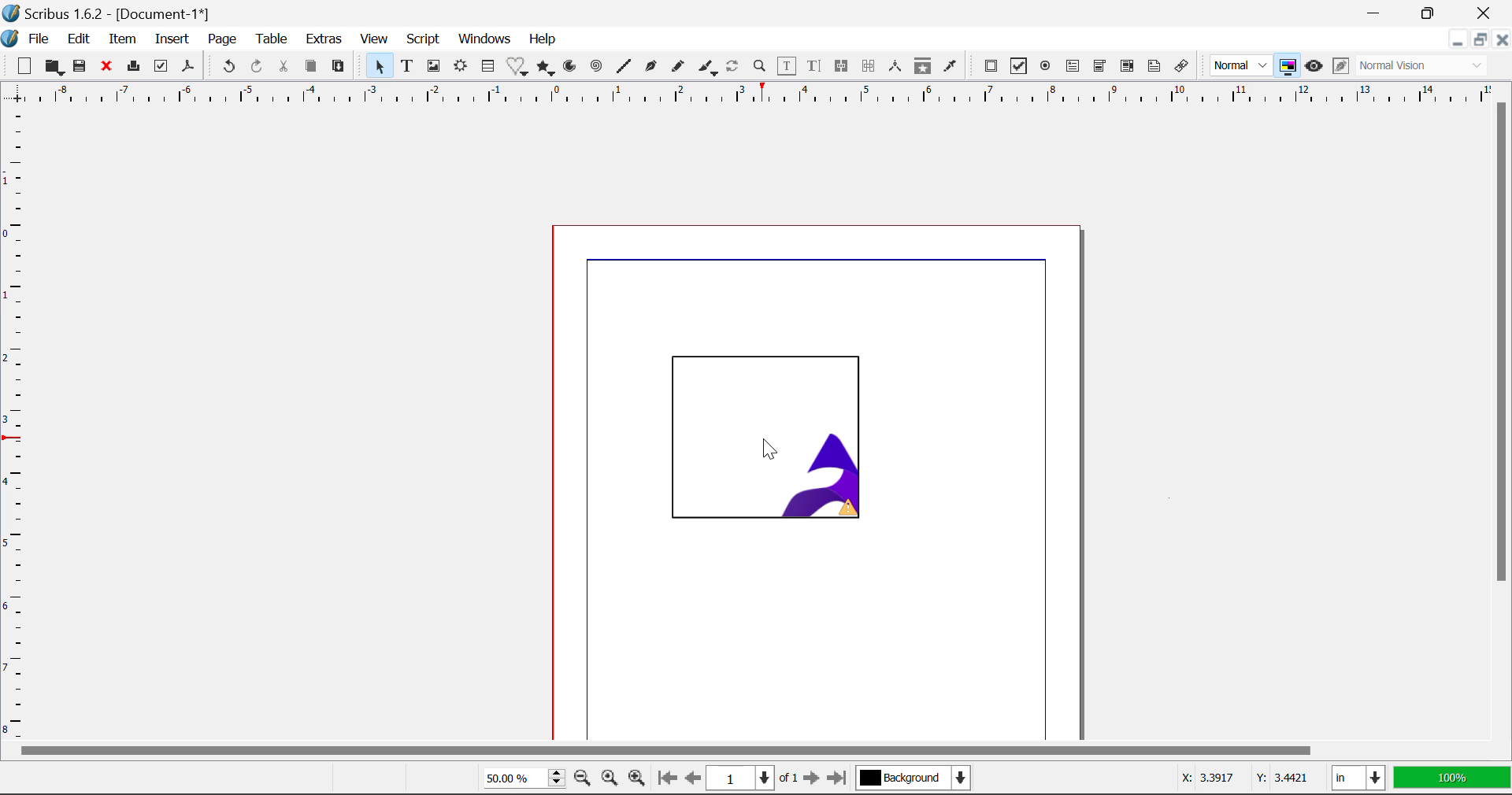  Describe the element at coordinates (869, 66) in the screenshot. I see `Unlink Text Frames` at that location.